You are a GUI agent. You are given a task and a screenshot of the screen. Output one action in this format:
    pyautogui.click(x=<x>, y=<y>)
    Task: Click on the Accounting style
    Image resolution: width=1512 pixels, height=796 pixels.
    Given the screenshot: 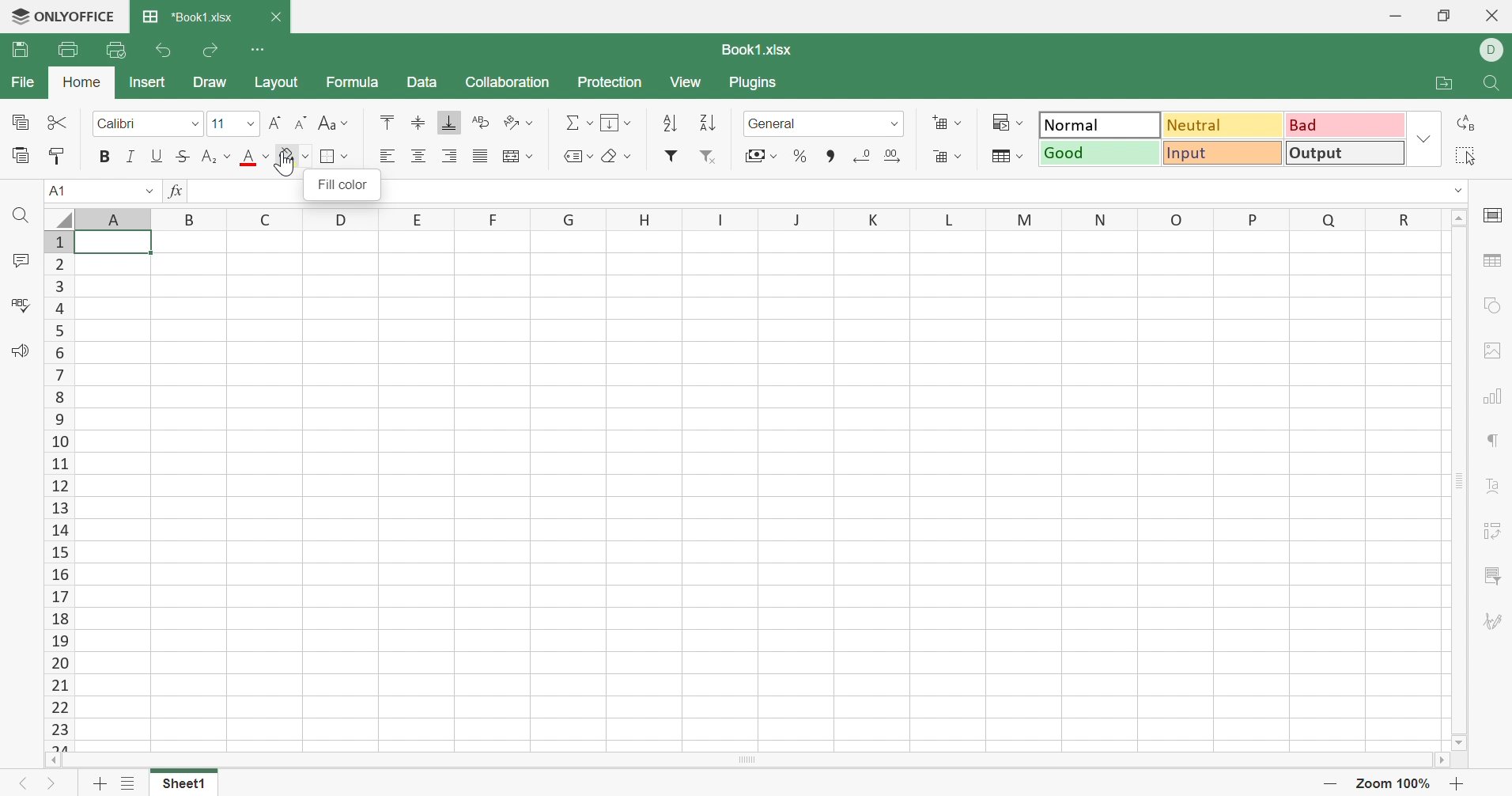 What is the action you would take?
    pyautogui.click(x=762, y=154)
    